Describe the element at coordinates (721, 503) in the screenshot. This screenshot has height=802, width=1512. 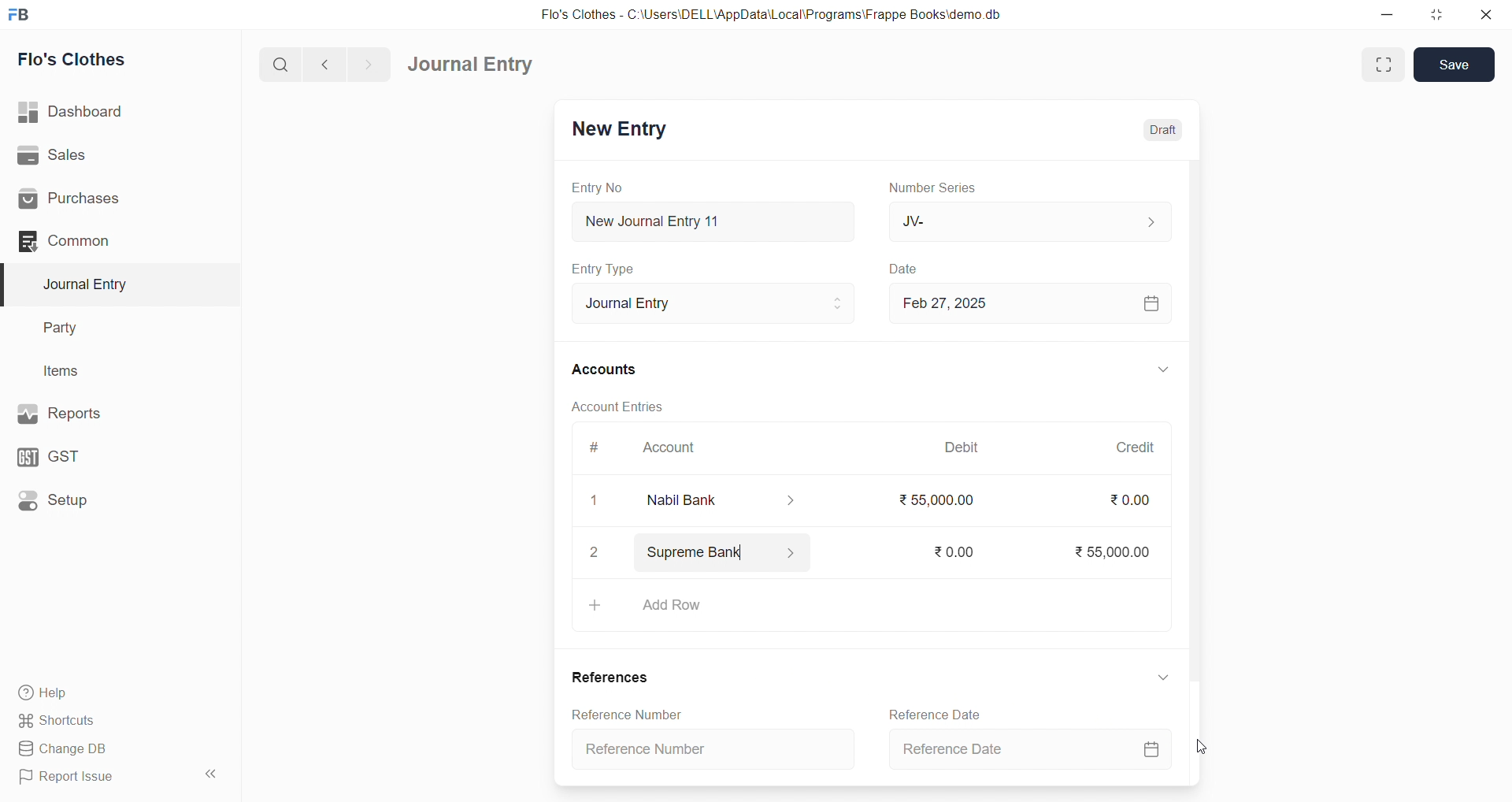
I see `Nabil Bank` at that location.